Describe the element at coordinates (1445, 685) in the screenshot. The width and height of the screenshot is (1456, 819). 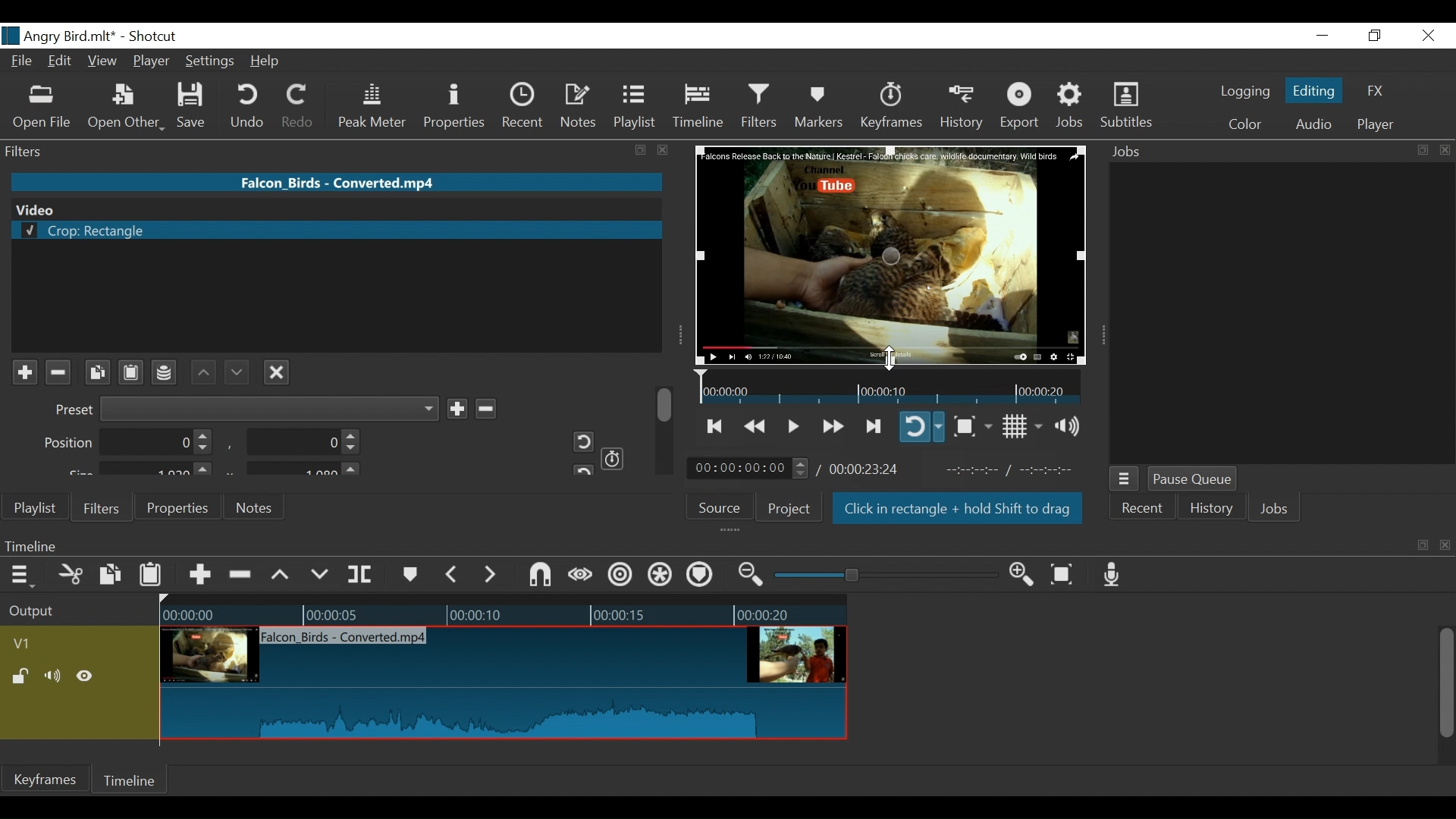
I see `Vertical Scroll bar` at that location.